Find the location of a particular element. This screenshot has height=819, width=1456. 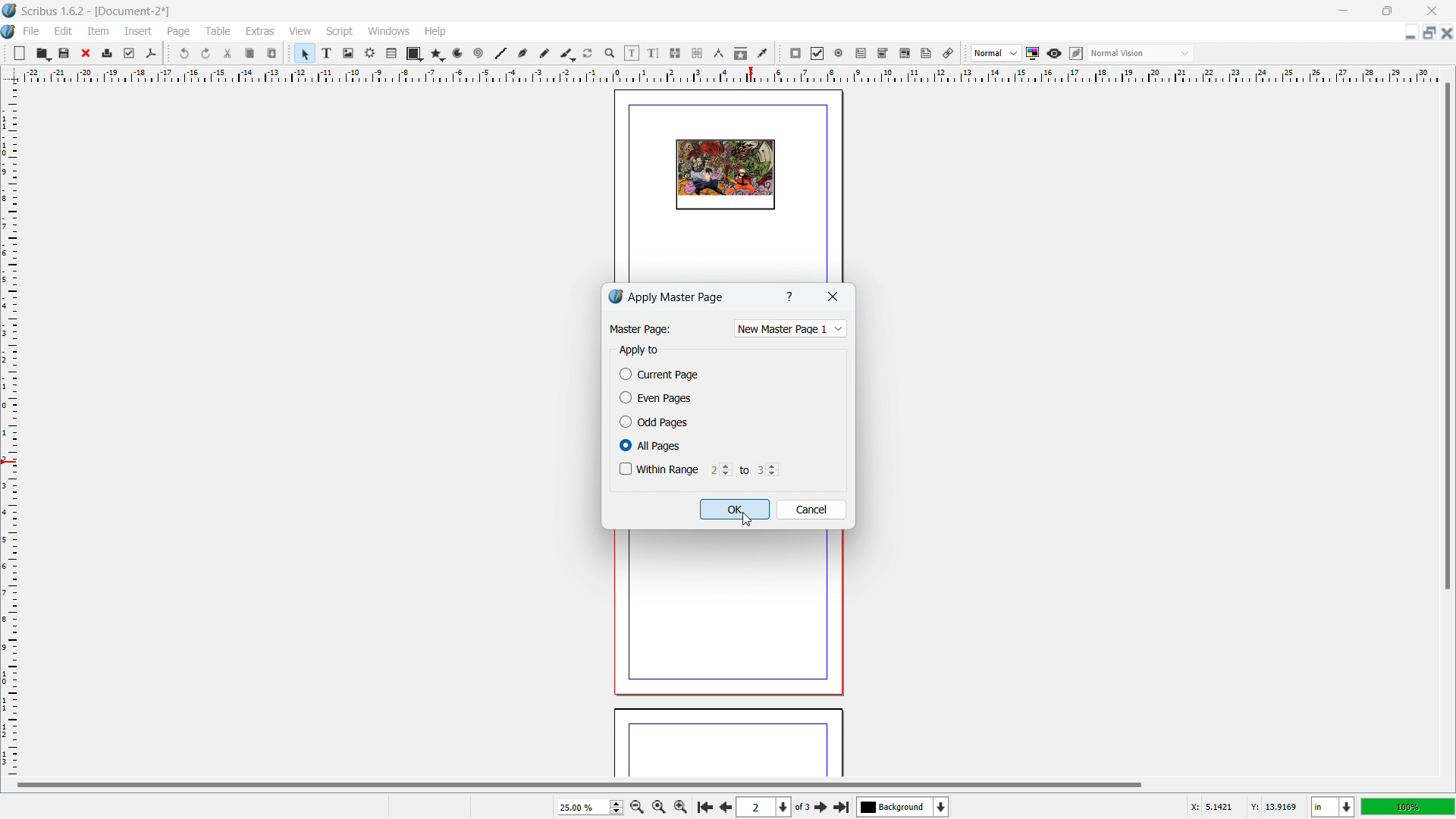

script is located at coordinates (340, 32).